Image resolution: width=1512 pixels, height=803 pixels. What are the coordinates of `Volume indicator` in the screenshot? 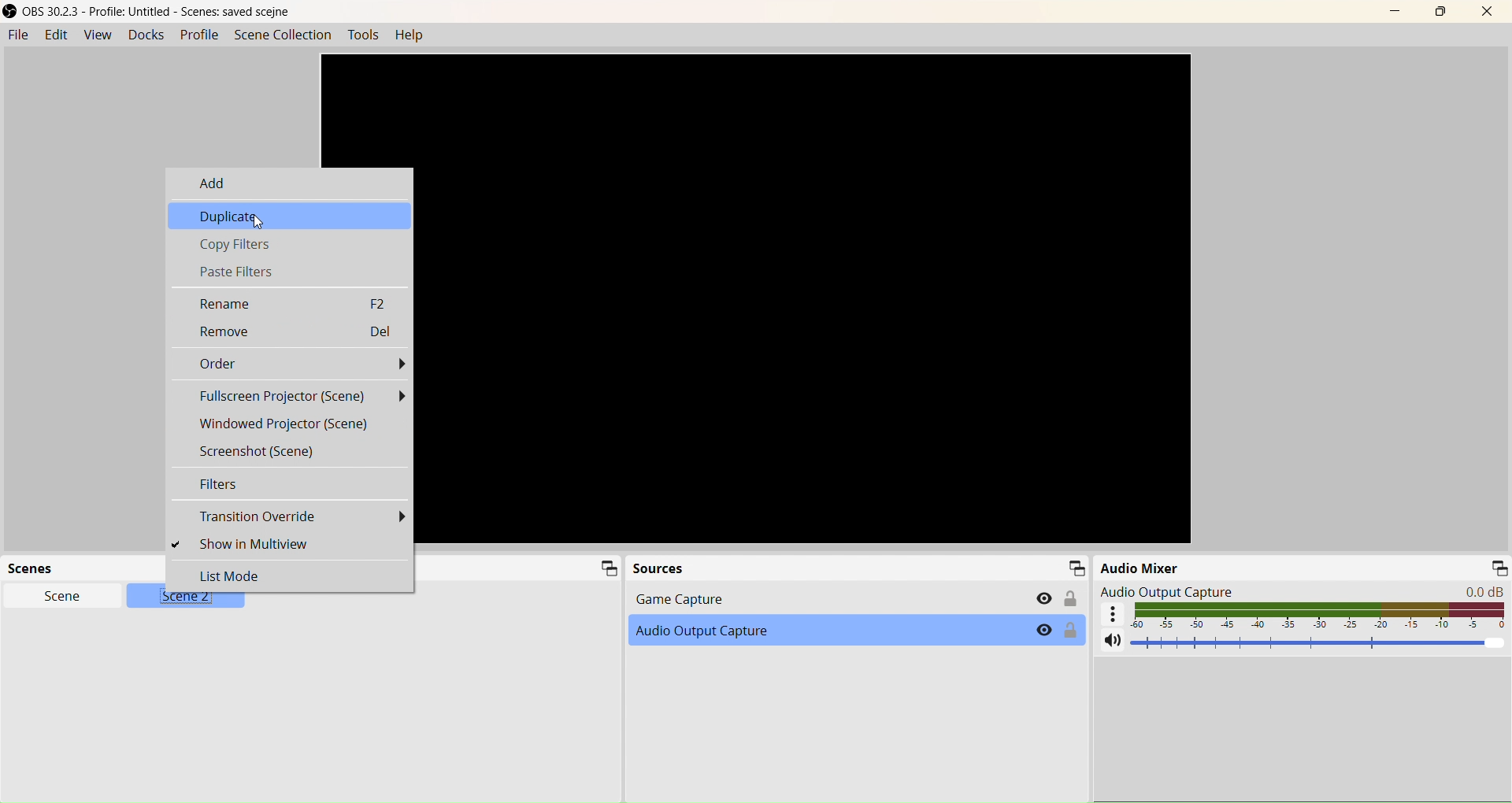 It's located at (1321, 615).